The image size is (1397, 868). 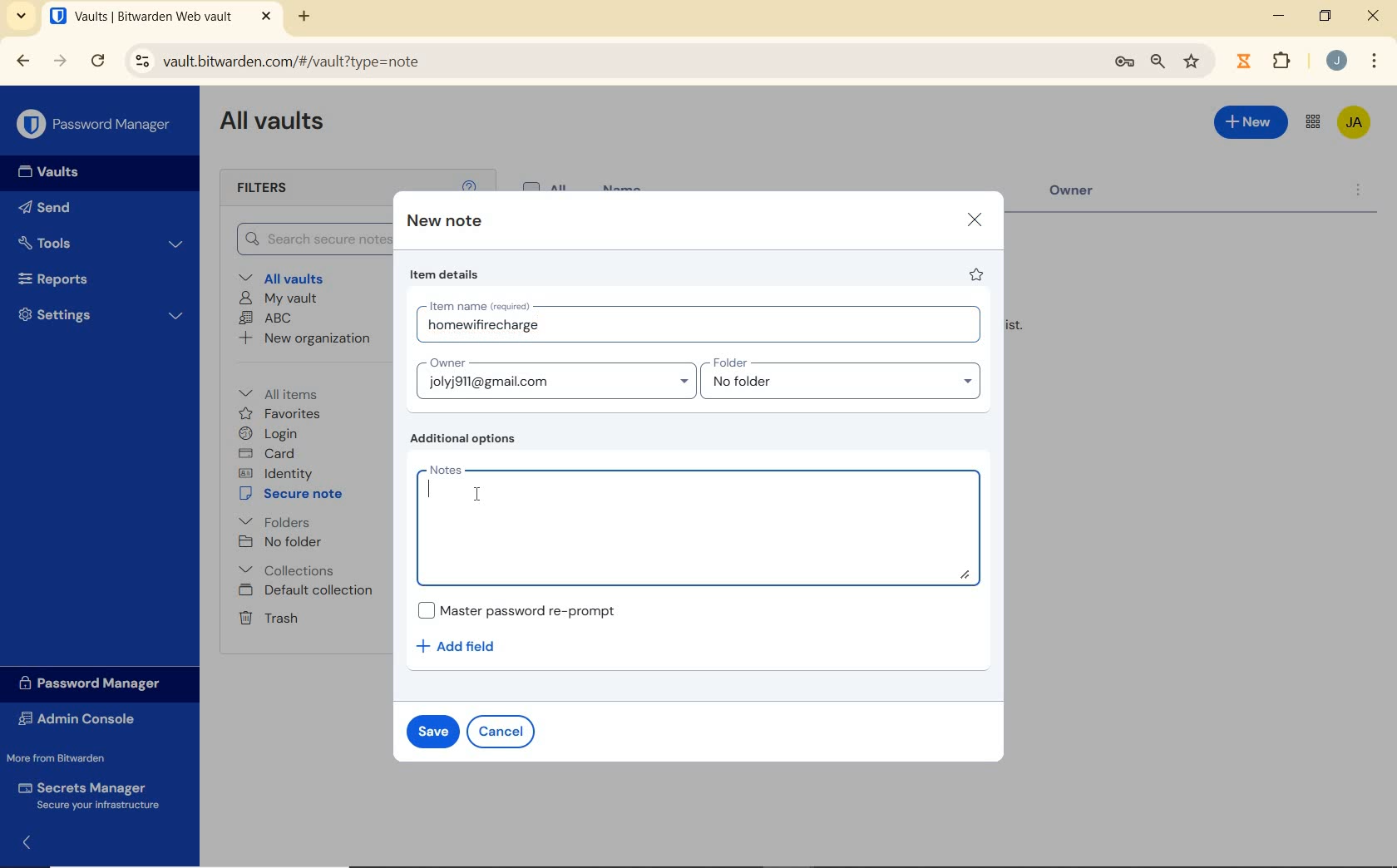 What do you see at coordinates (308, 591) in the screenshot?
I see `Default collection` at bounding box center [308, 591].